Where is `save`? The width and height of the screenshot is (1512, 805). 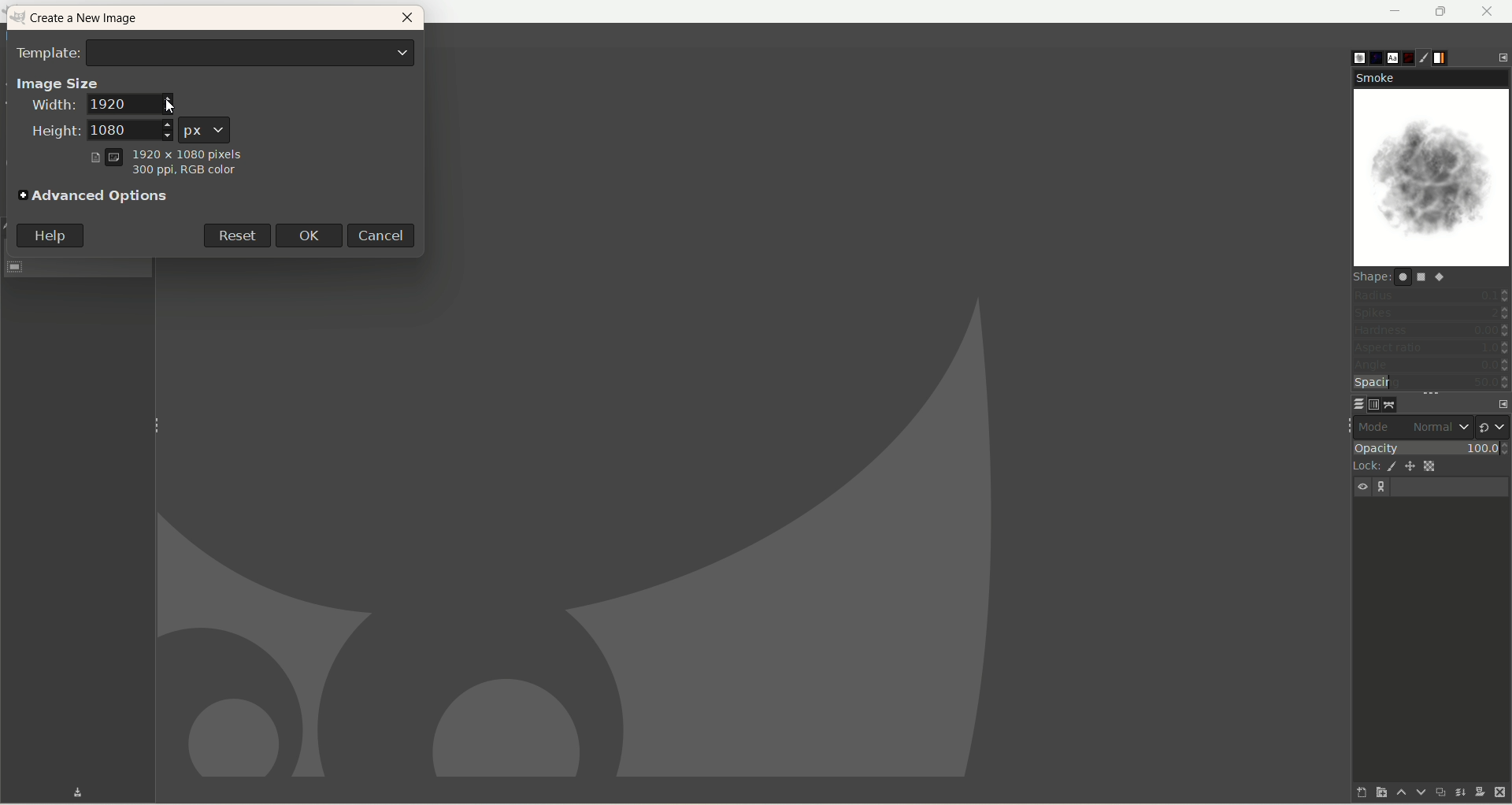 save is located at coordinates (65, 792).